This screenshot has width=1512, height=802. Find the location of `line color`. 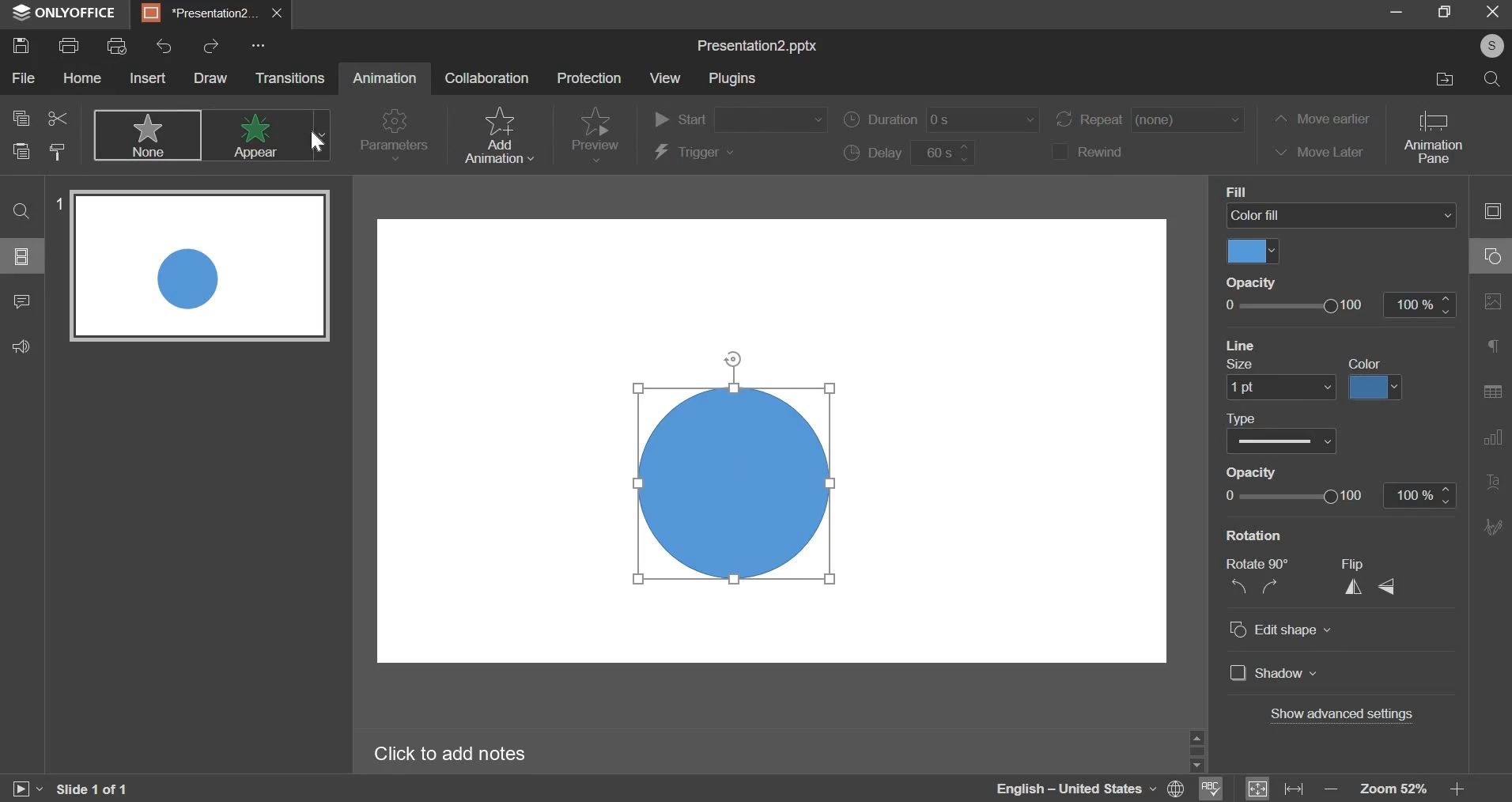

line color is located at coordinates (1376, 387).